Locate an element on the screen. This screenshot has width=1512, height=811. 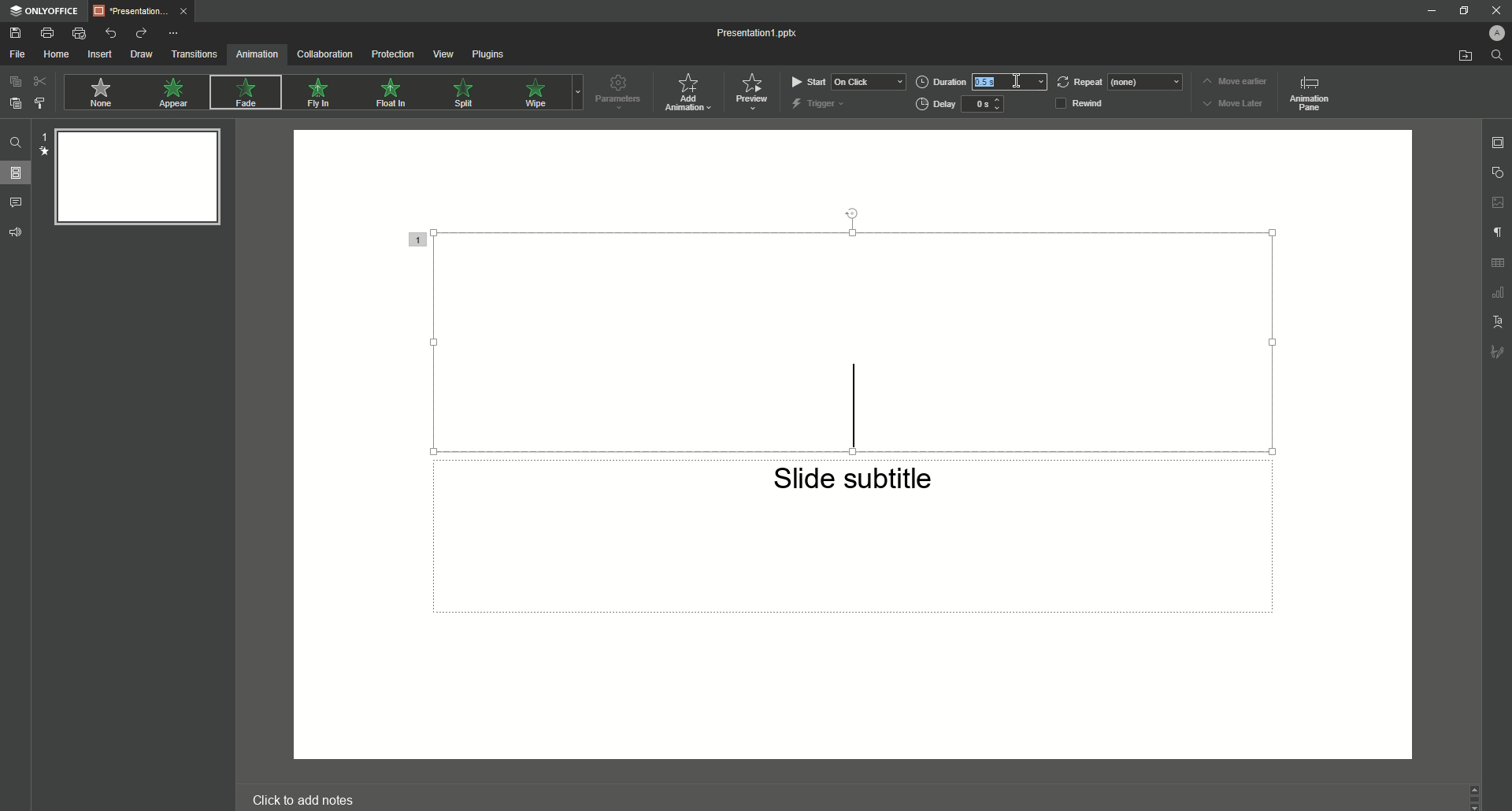
Repeat is located at coordinates (1118, 79).